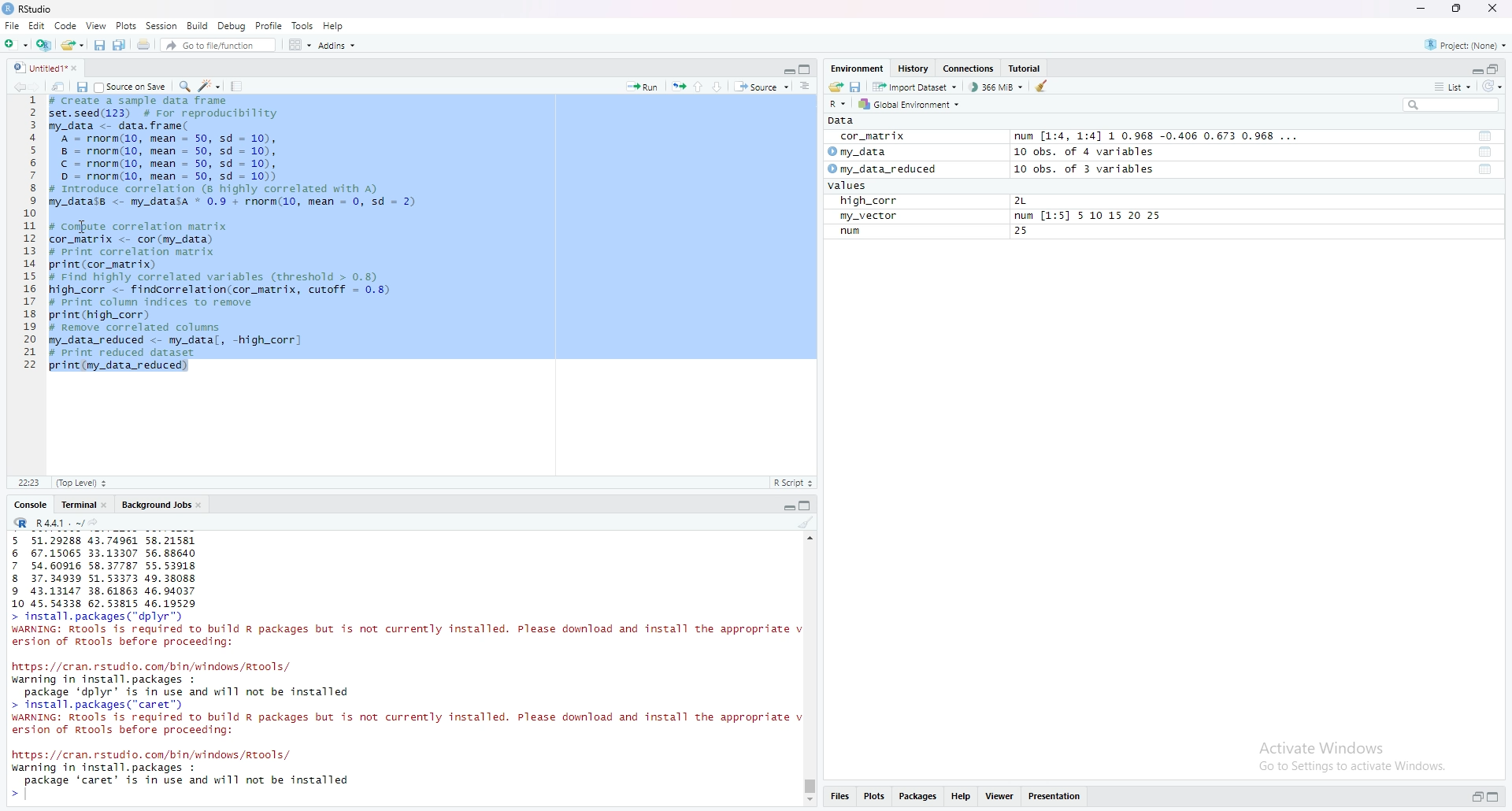 This screenshot has height=811, width=1512. Describe the element at coordinates (1458, 8) in the screenshot. I see `maximise` at that location.